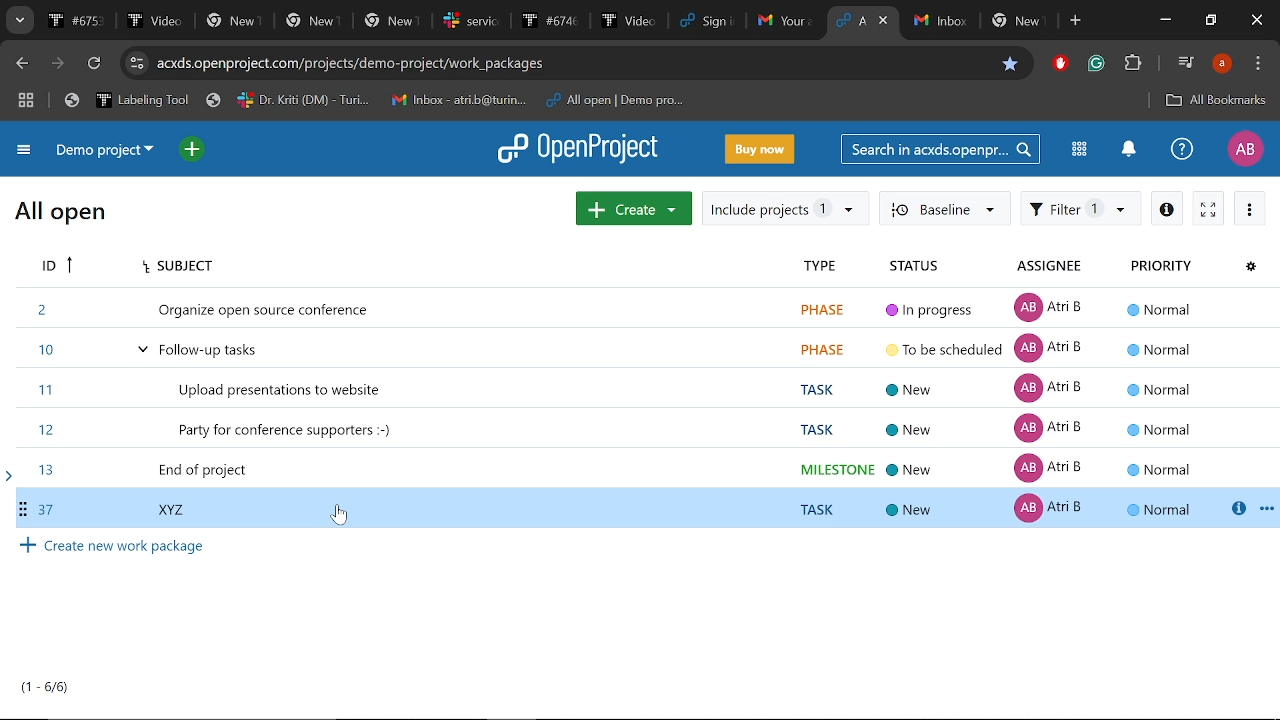 The height and width of the screenshot is (720, 1280). What do you see at coordinates (817, 268) in the screenshot?
I see `Type` at bounding box center [817, 268].